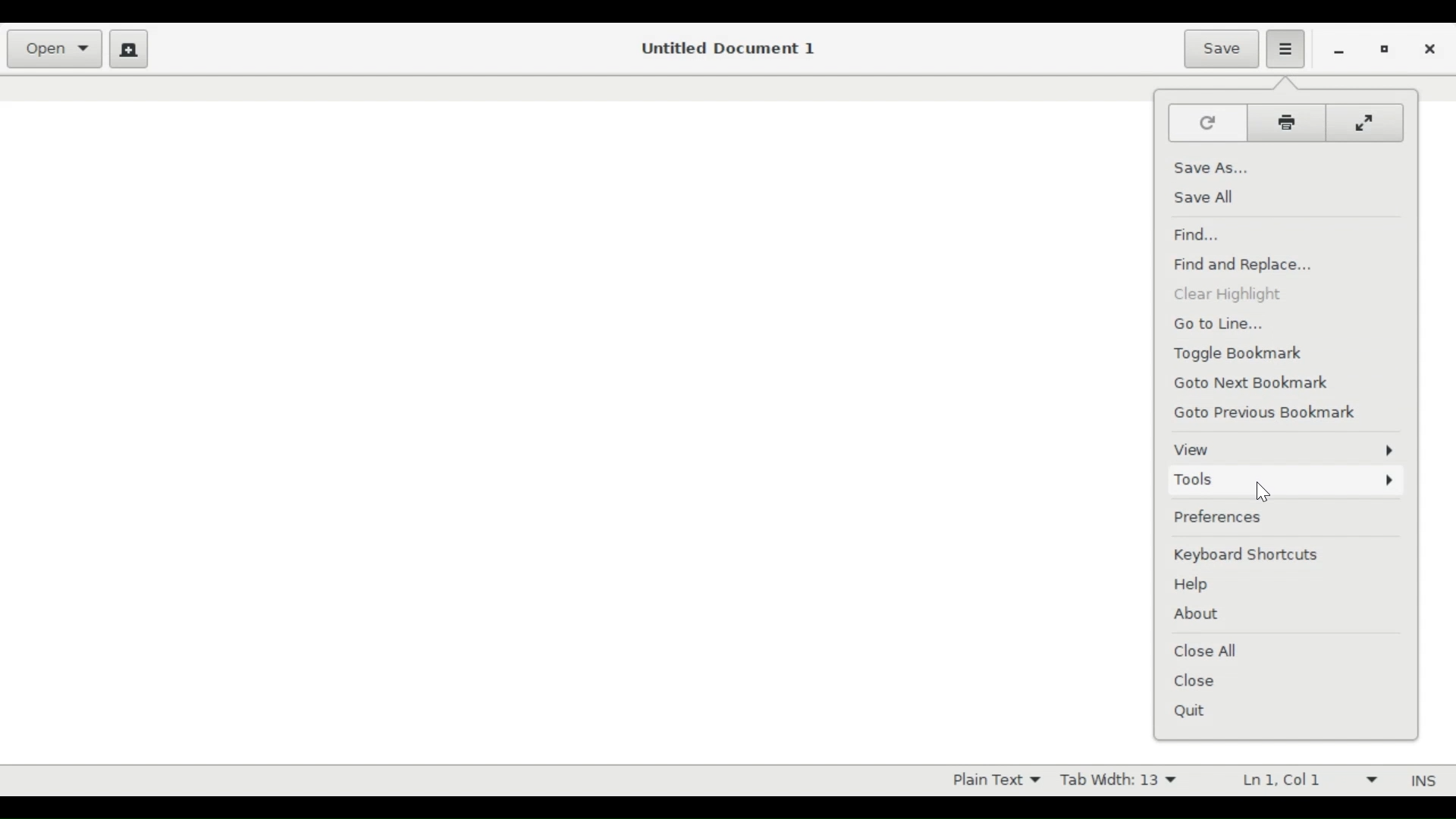 Image resolution: width=1456 pixels, height=819 pixels. What do you see at coordinates (1225, 325) in the screenshot?
I see `Go to line` at bounding box center [1225, 325].